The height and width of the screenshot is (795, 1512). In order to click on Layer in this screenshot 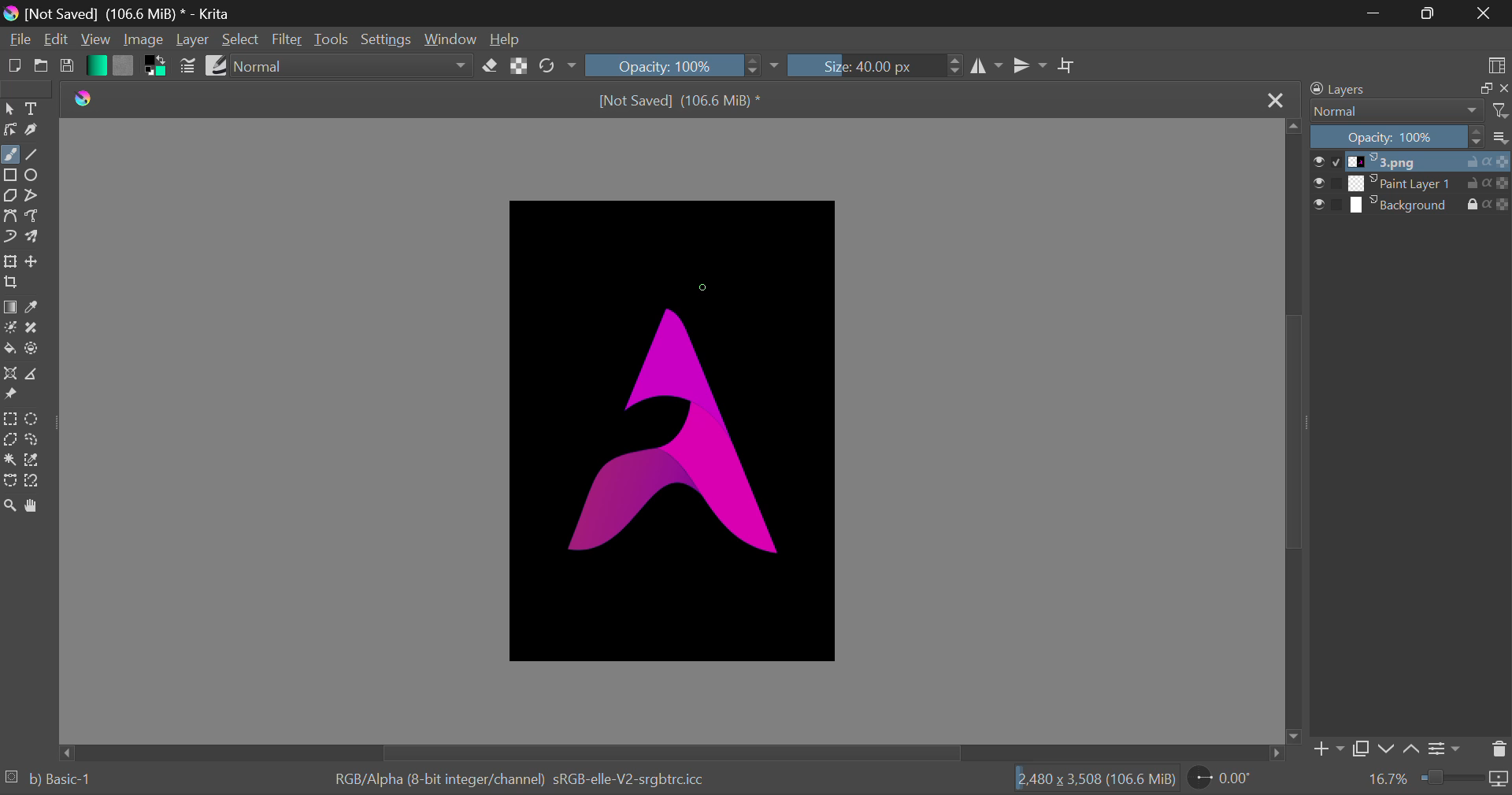, I will do `click(193, 41)`.